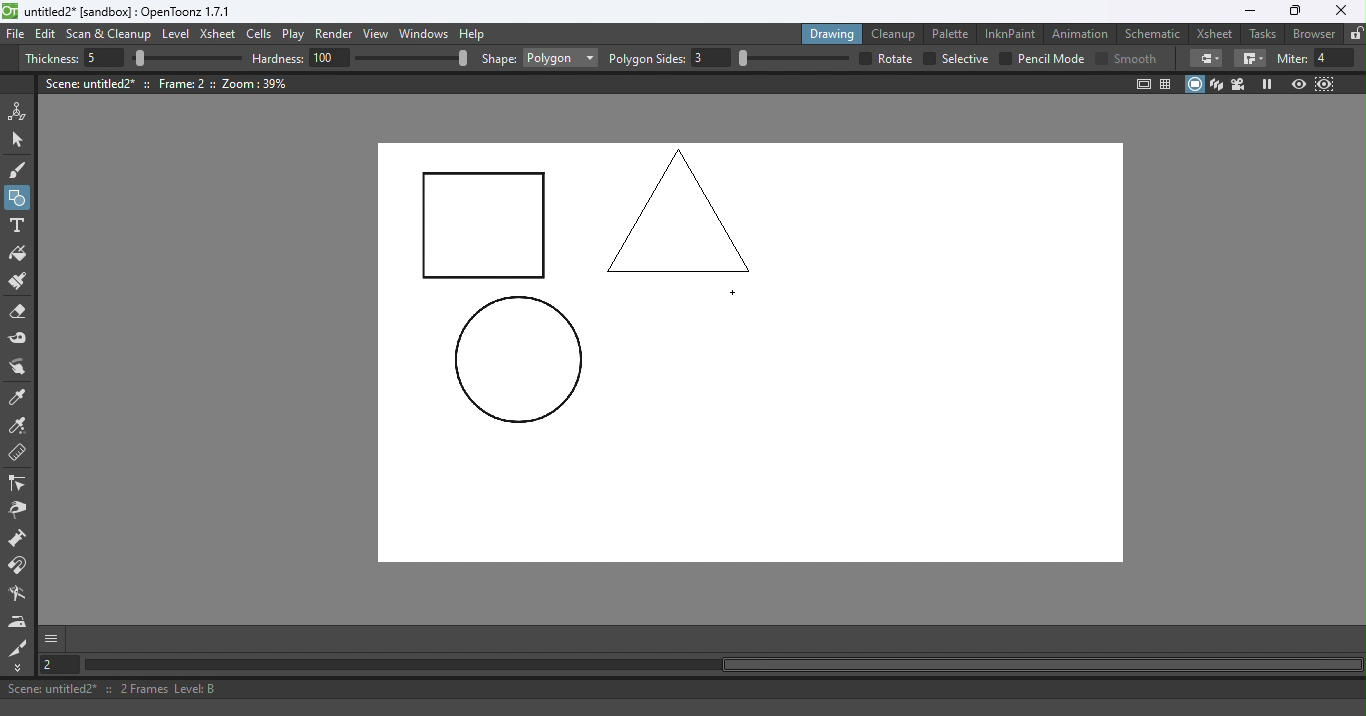 The height and width of the screenshot is (716, 1366). Describe the element at coordinates (19, 566) in the screenshot. I see `Magnet tool` at that location.